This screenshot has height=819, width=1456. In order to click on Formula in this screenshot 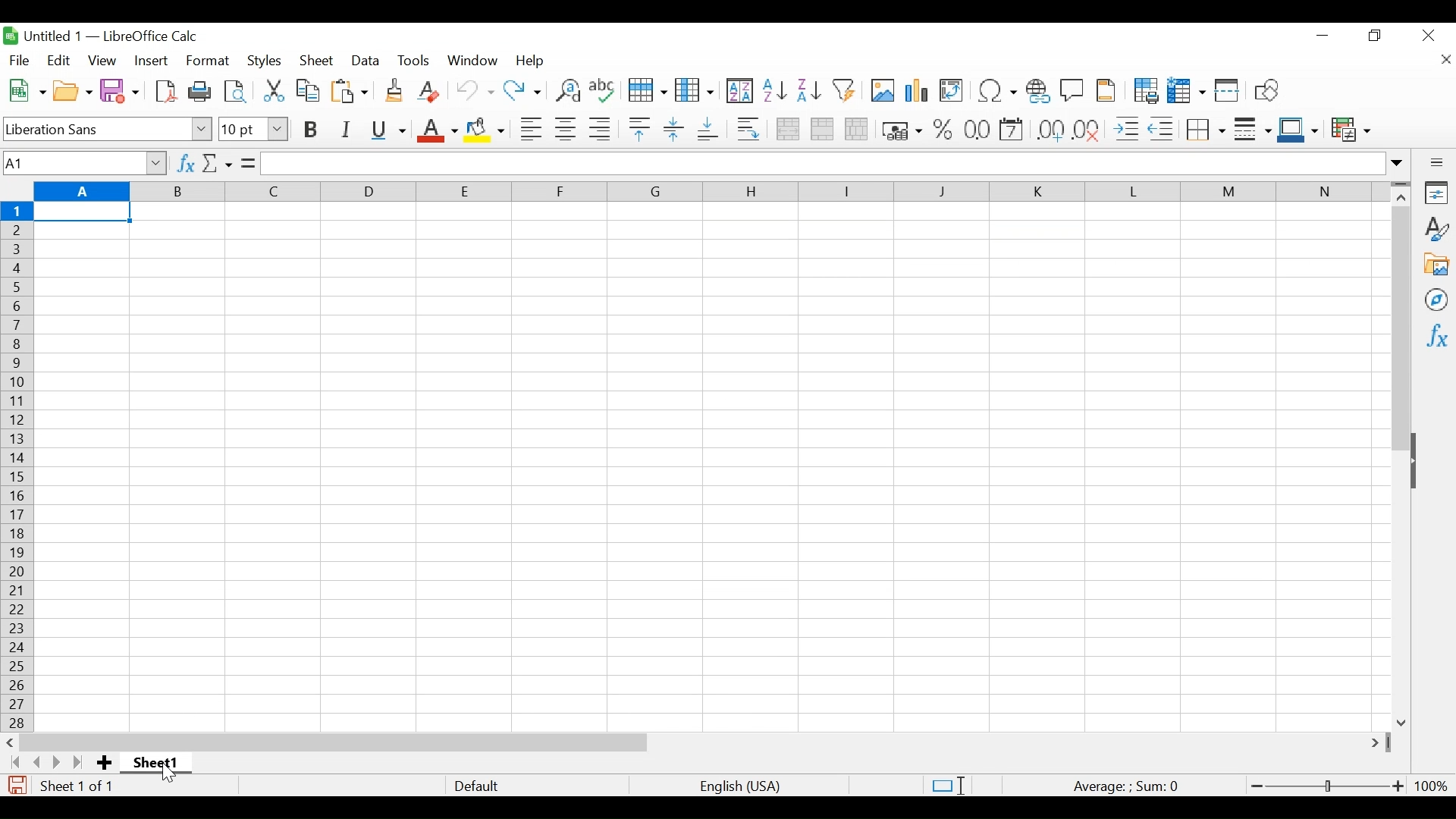, I will do `click(248, 162)`.